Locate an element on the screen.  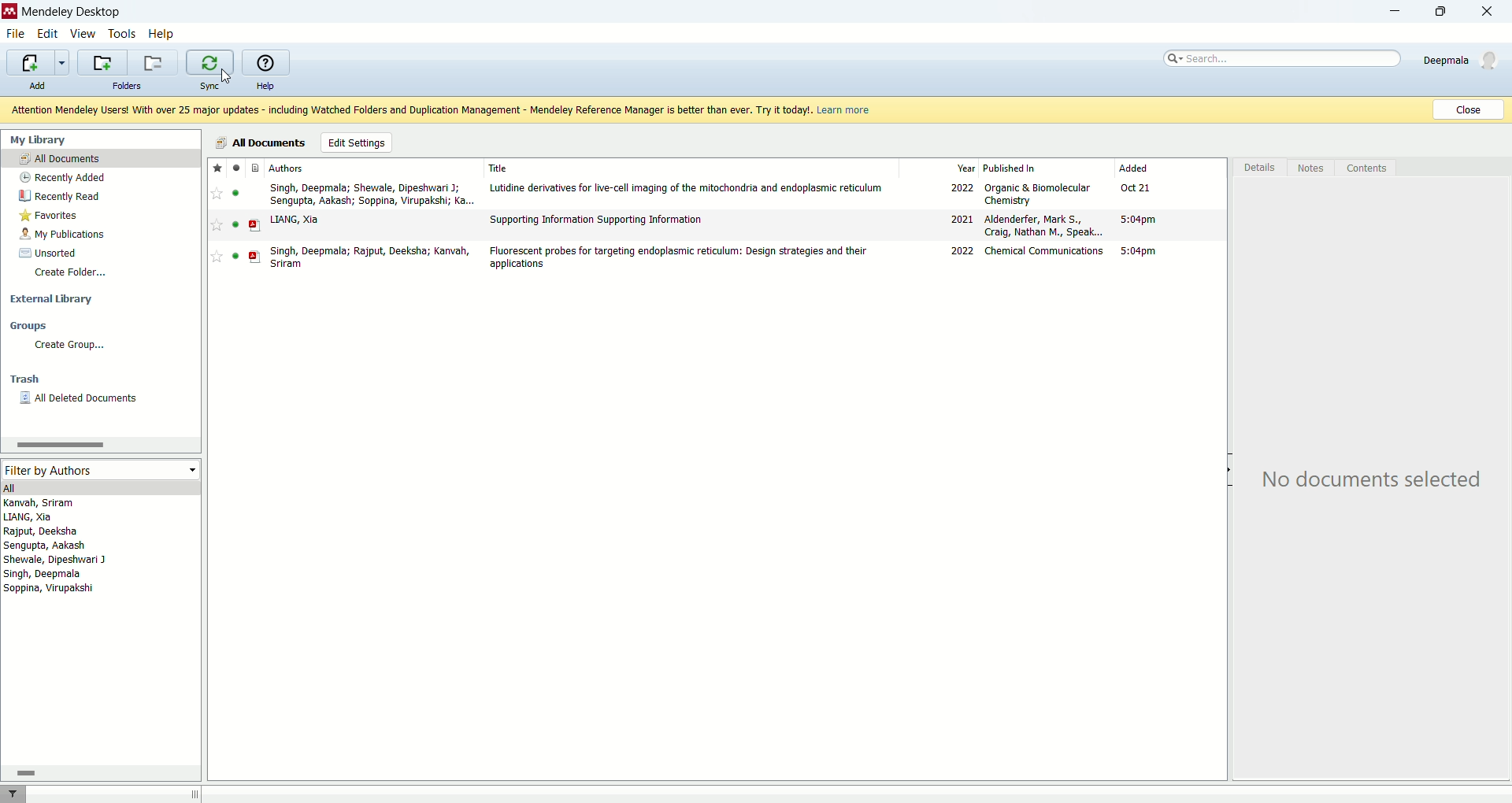
recently added is located at coordinates (61, 178).